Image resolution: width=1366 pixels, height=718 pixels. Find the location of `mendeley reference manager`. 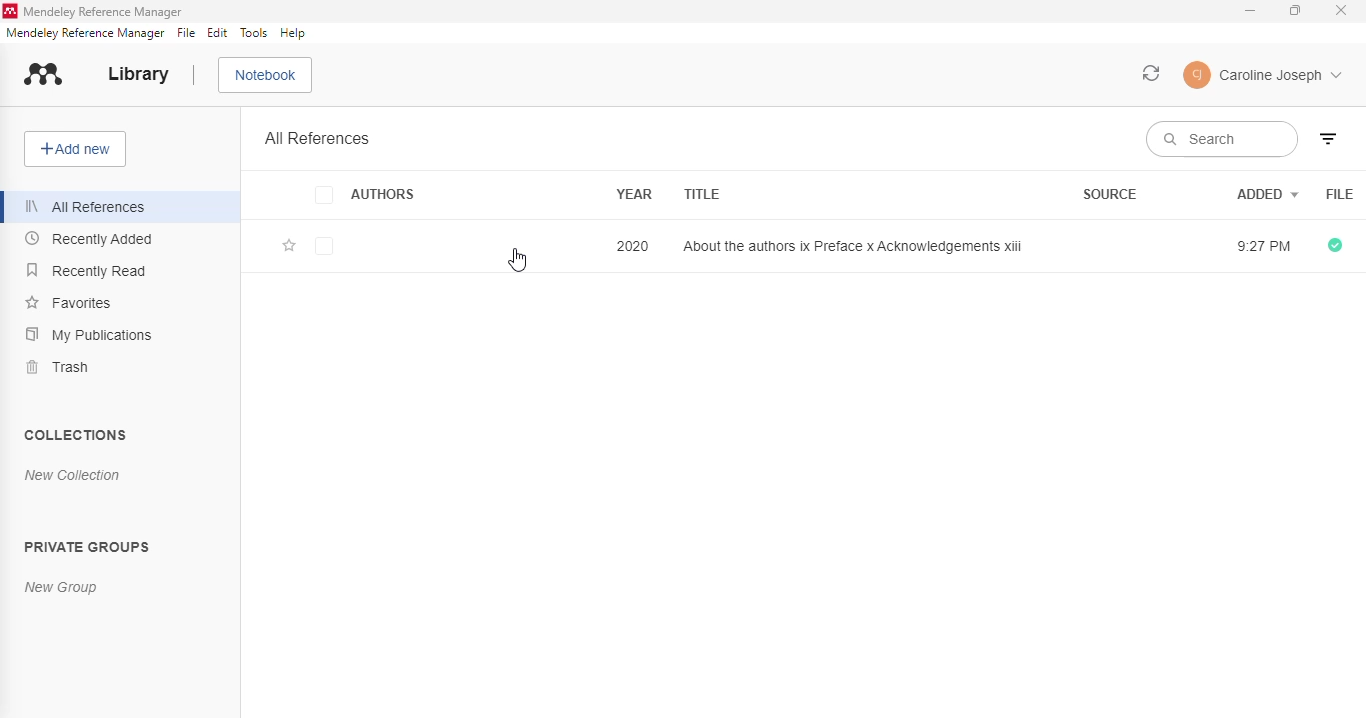

mendeley reference manager is located at coordinates (104, 12).